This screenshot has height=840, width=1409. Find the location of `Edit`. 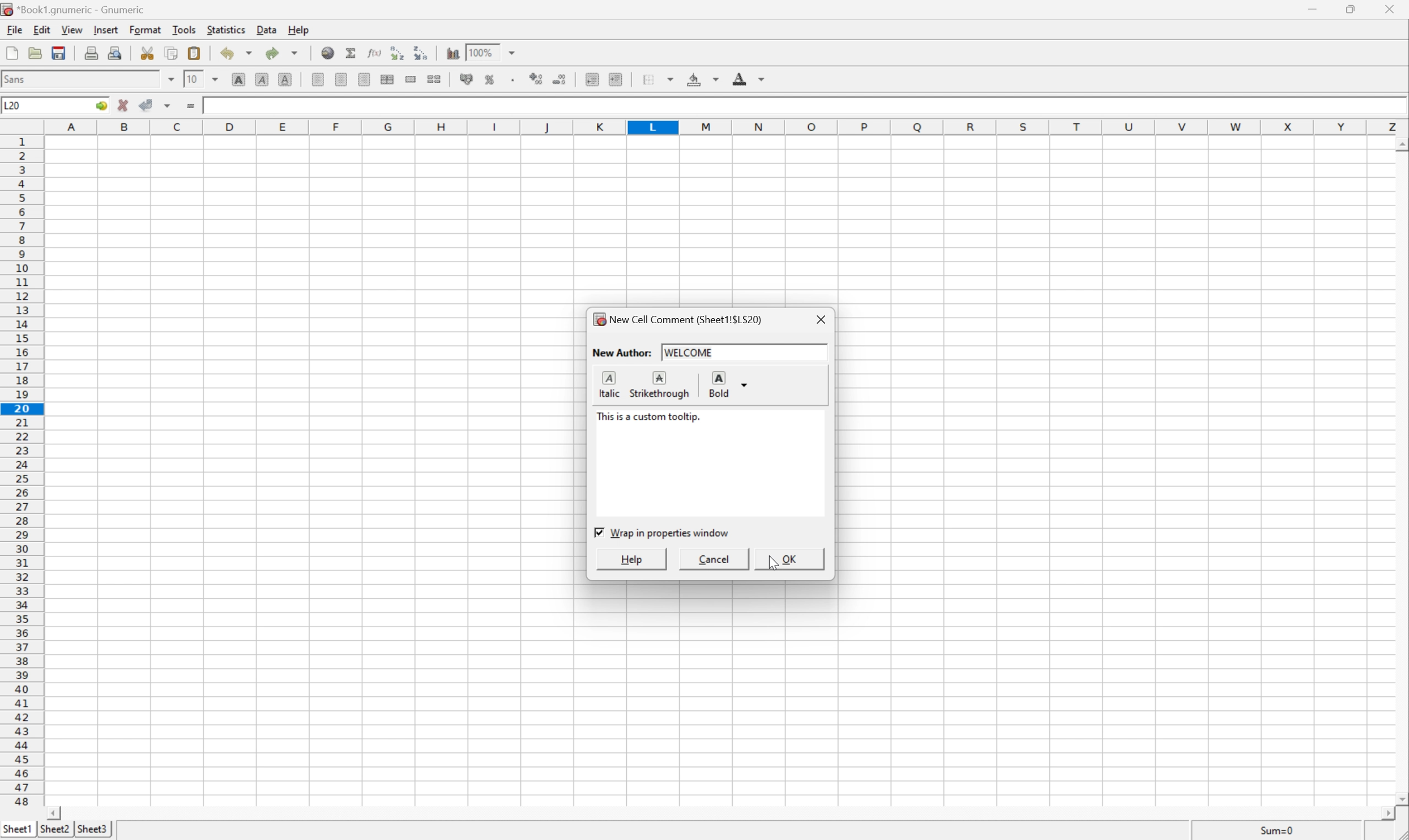

Edit is located at coordinates (42, 30).